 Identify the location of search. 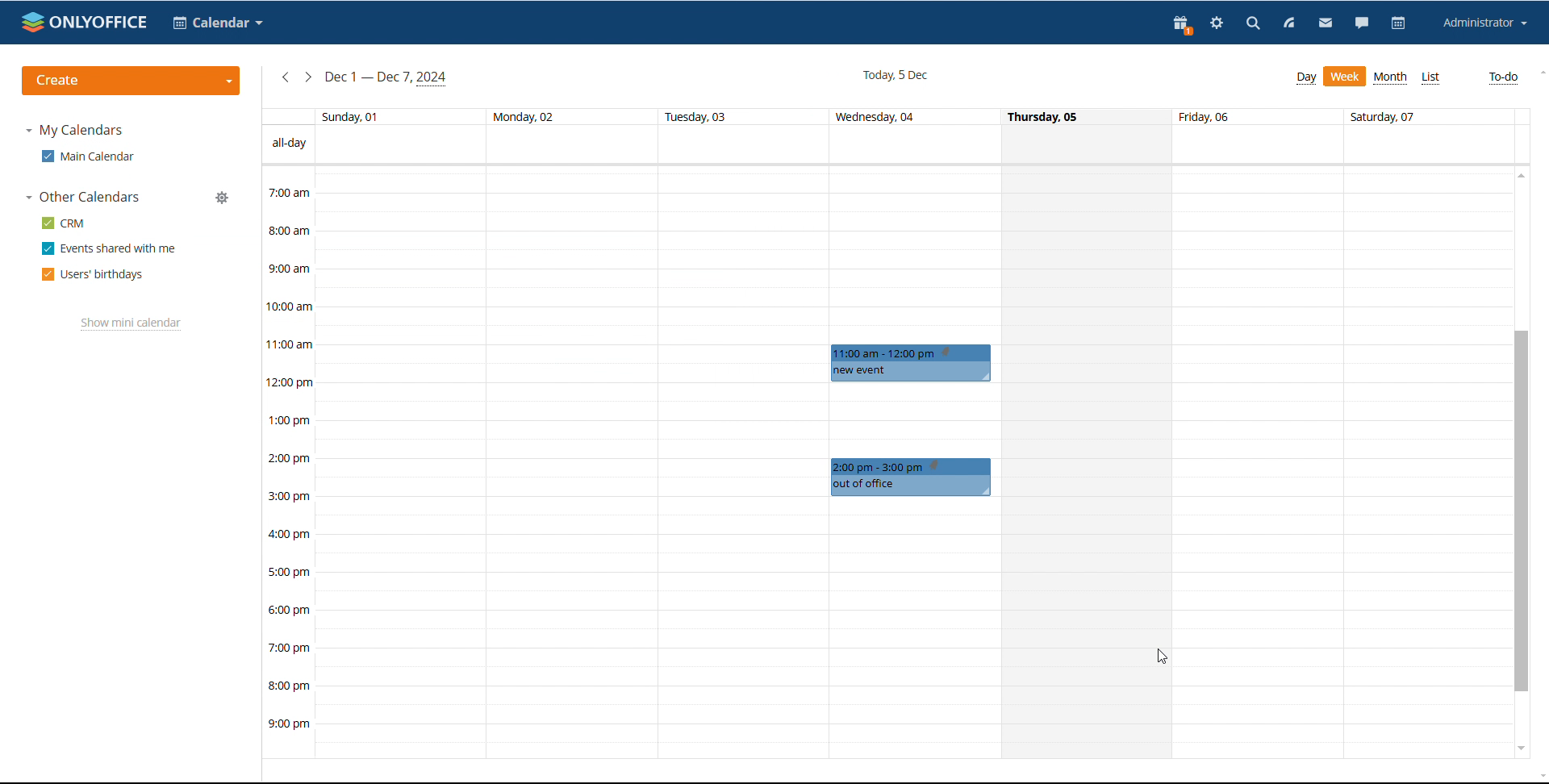
(1251, 24).